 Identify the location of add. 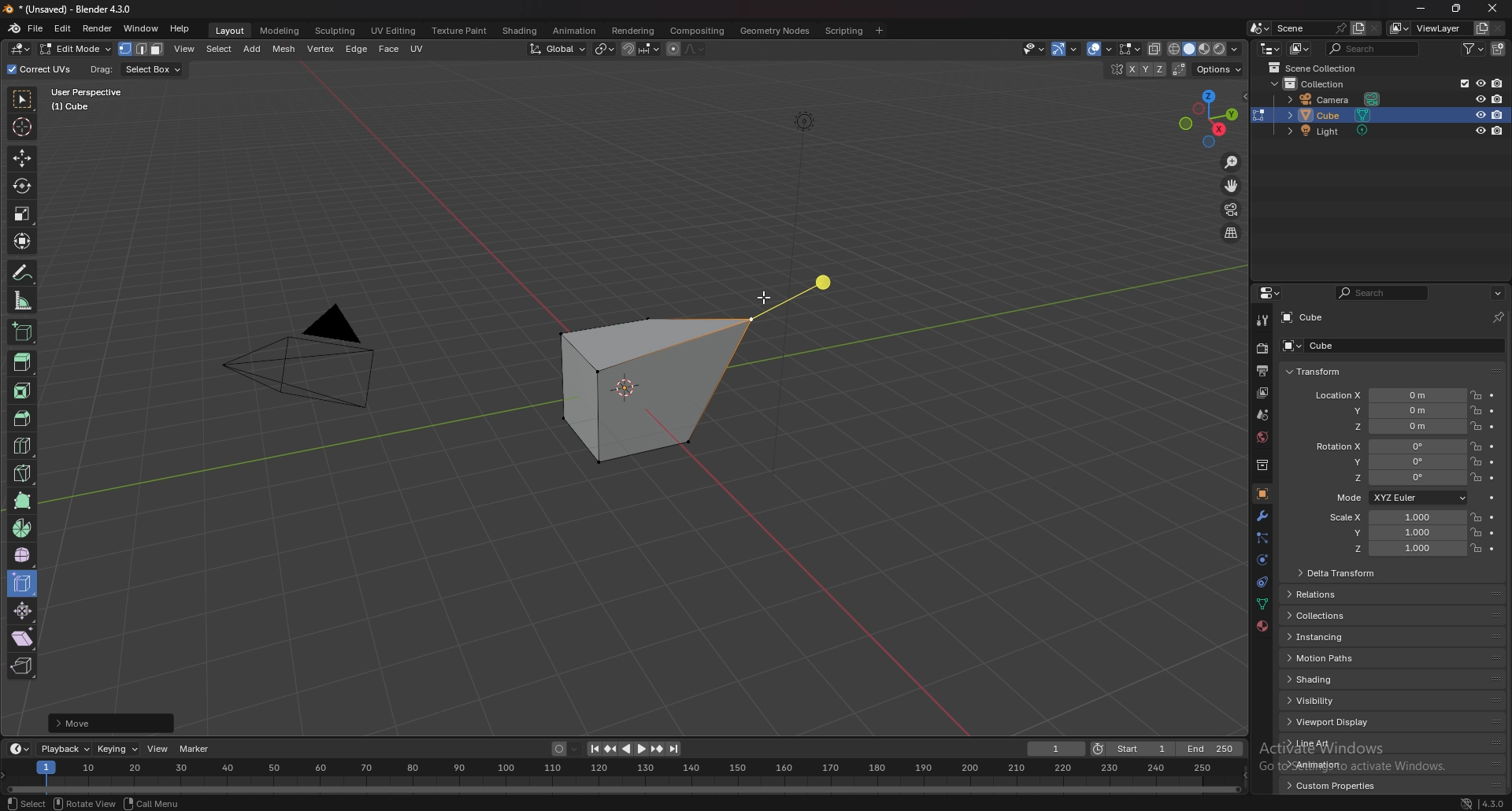
(254, 49).